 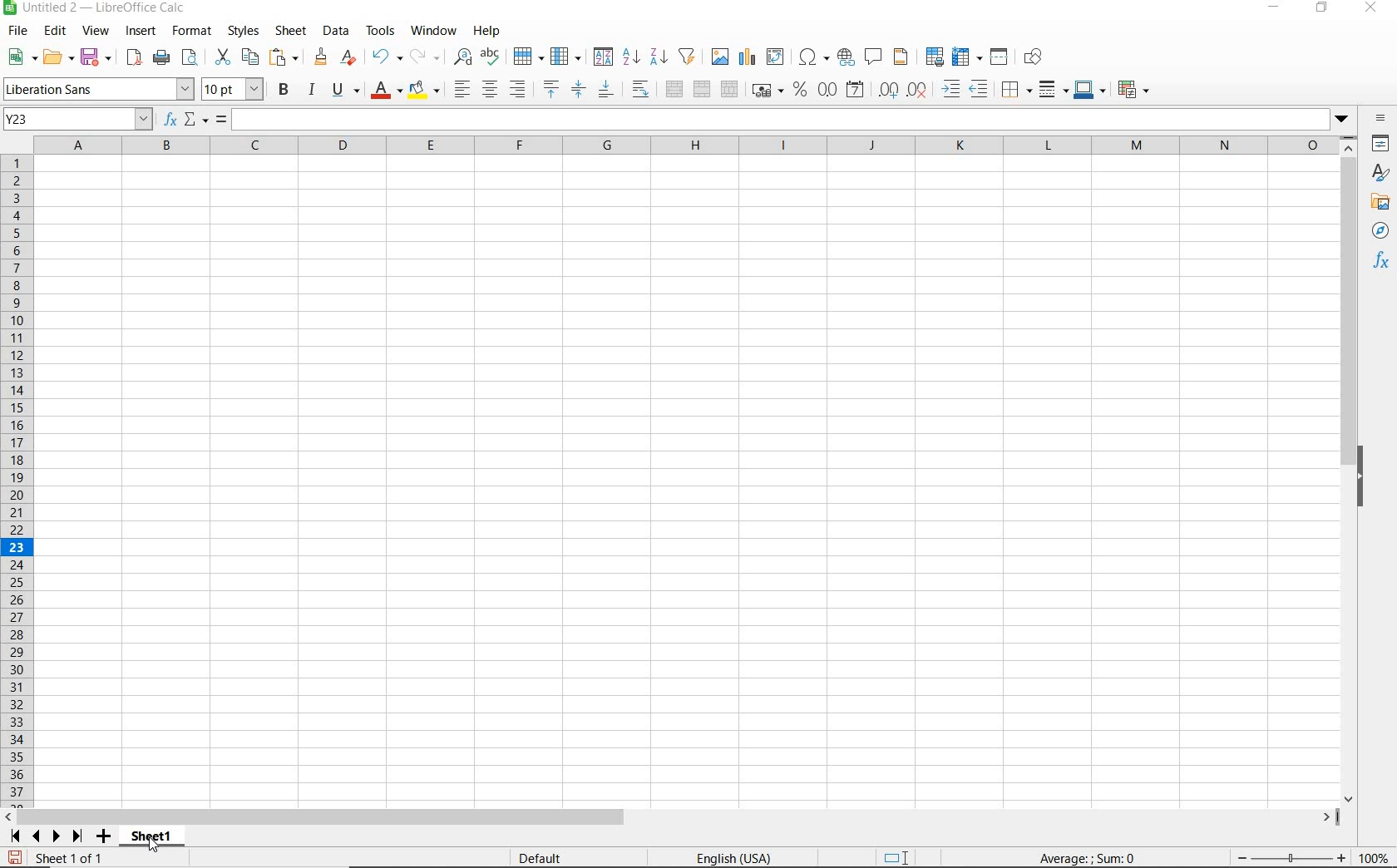 What do you see at coordinates (550, 89) in the screenshot?
I see `ALIGN TOP` at bounding box center [550, 89].